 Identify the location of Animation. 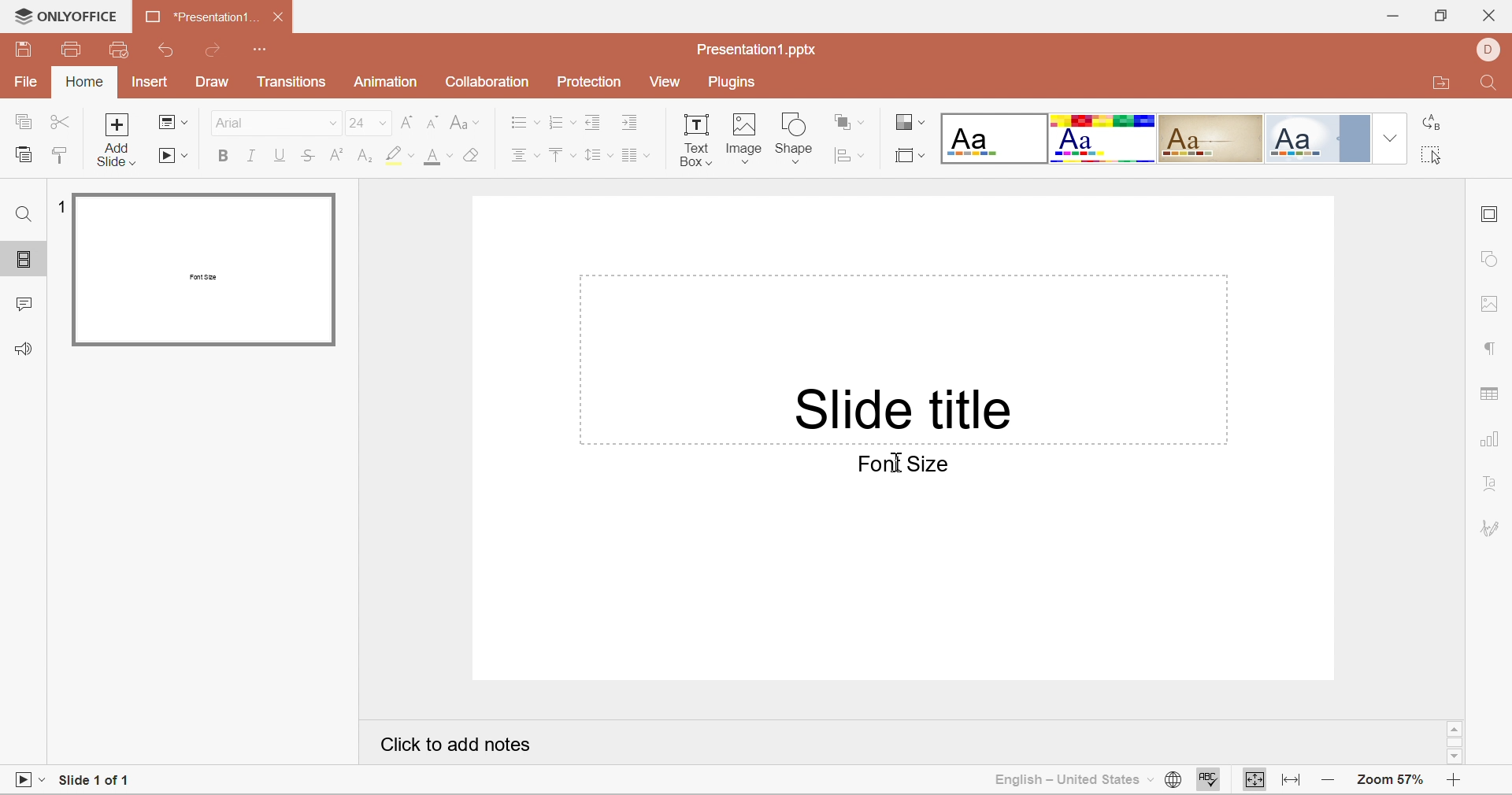
(385, 82).